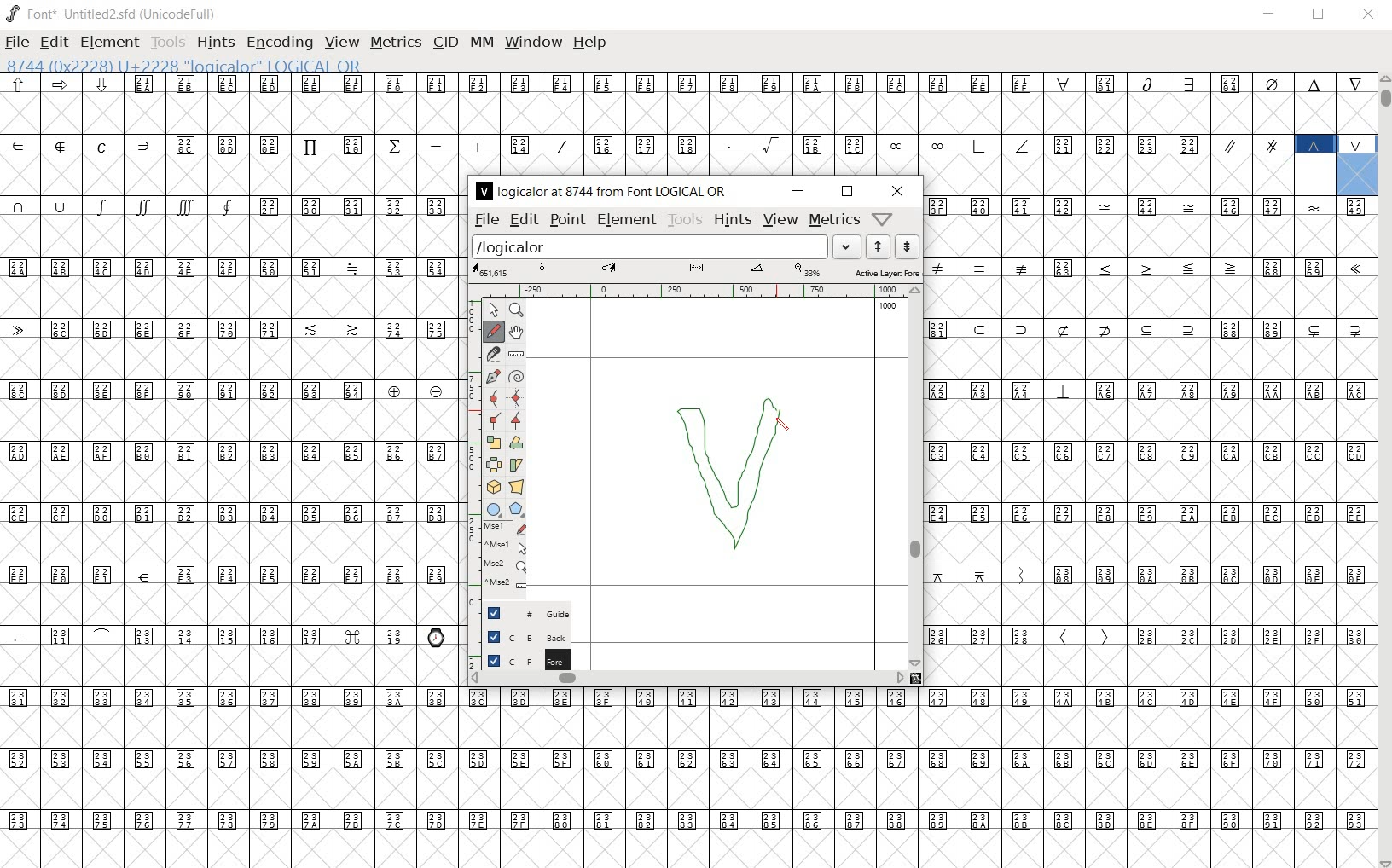  Describe the element at coordinates (514, 397) in the screenshot. I see `add a curve point always either horizontal or vertical` at that location.